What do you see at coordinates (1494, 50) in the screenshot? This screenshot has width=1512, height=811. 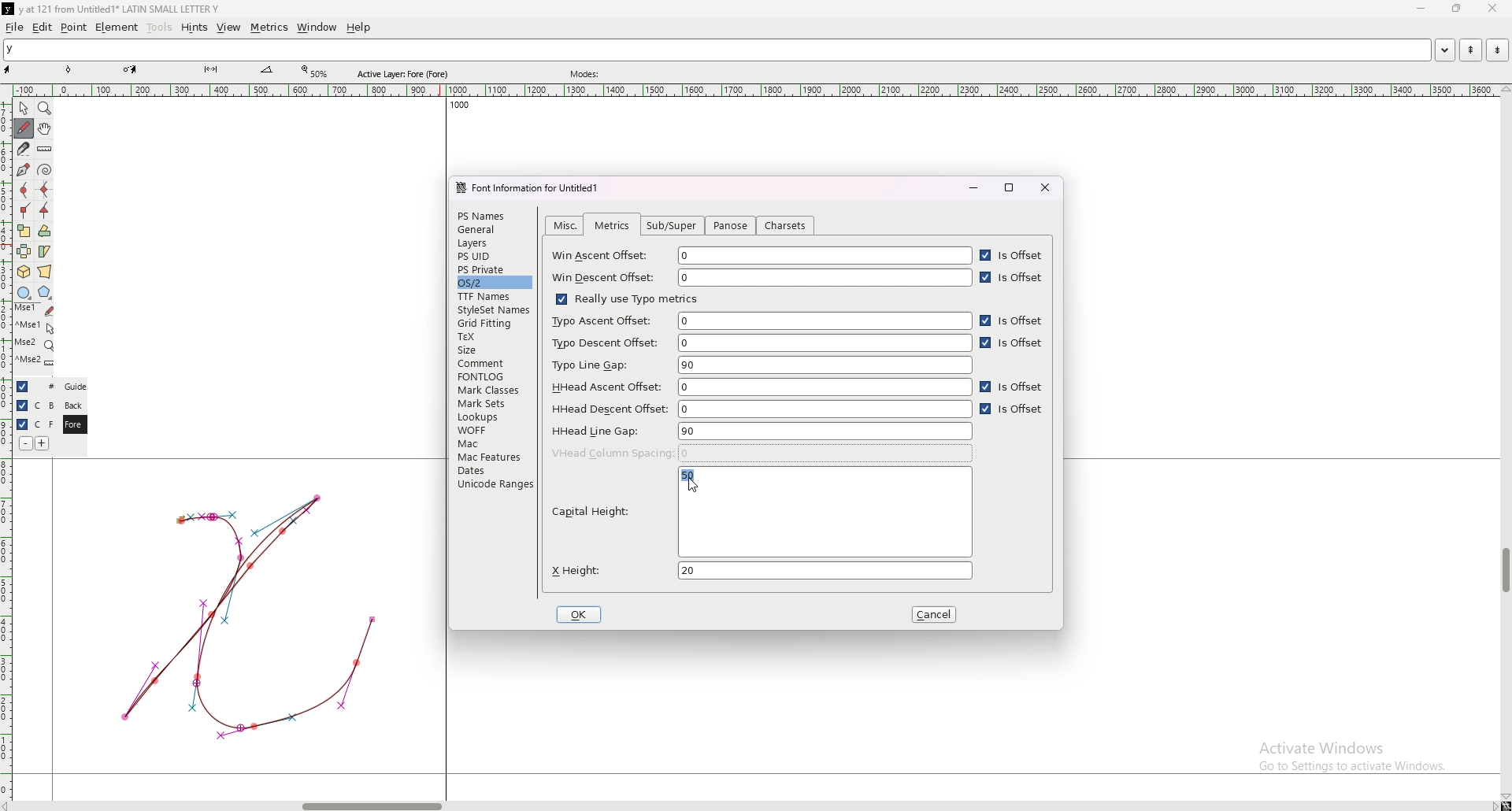 I see `next word` at bounding box center [1494, 50].